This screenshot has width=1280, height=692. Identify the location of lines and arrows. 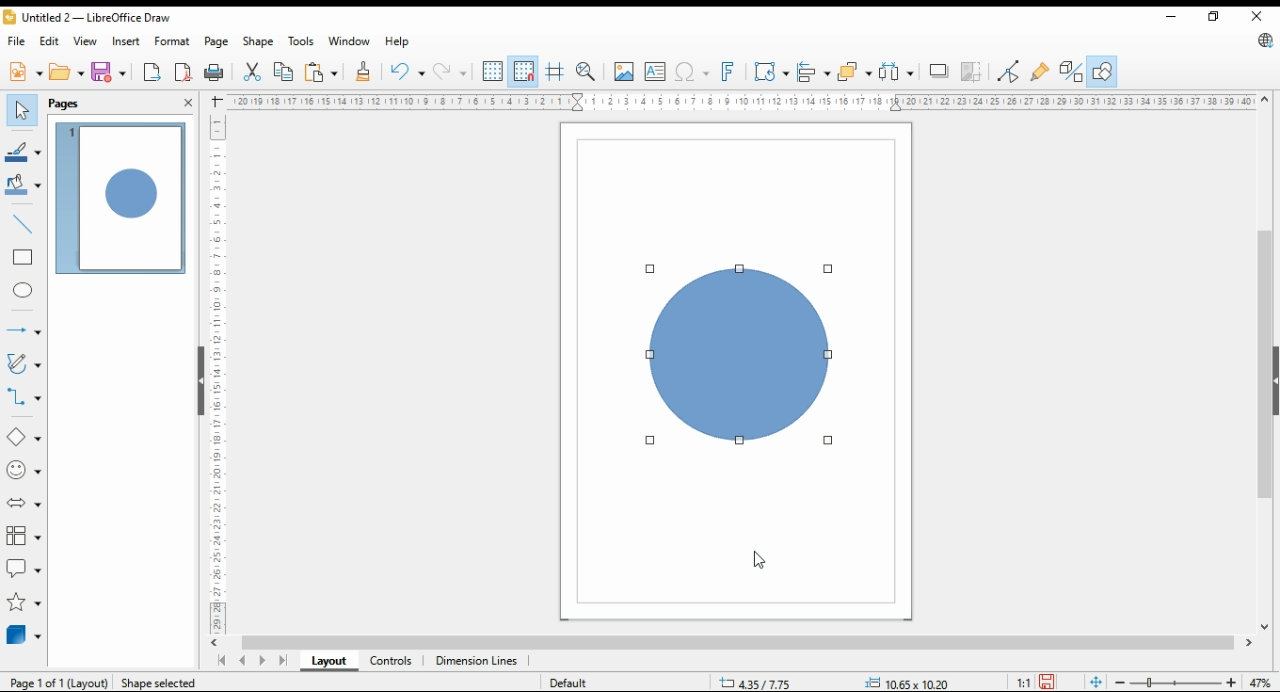
(23, 329).